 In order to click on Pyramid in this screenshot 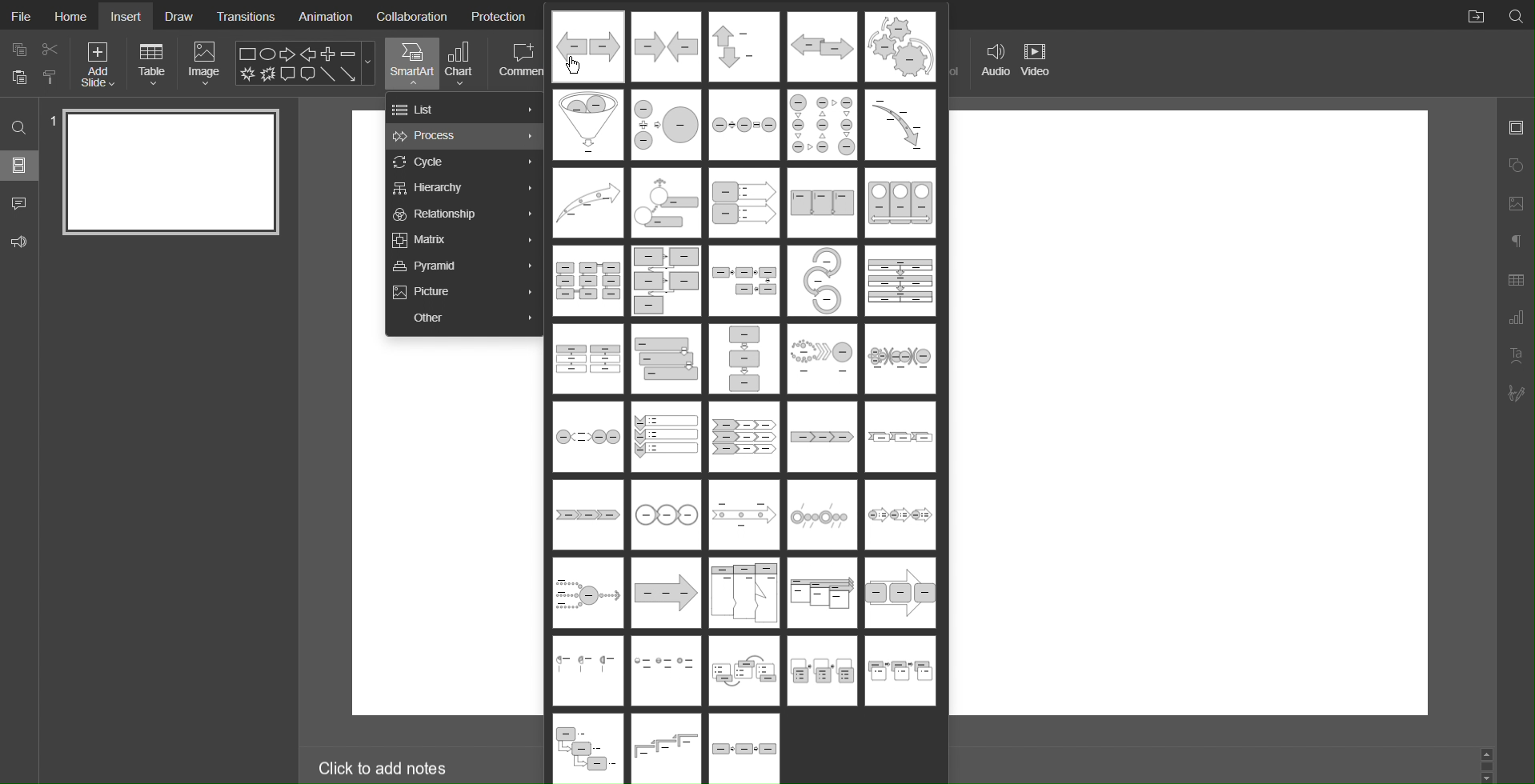, I will do `click(466, 266)`.